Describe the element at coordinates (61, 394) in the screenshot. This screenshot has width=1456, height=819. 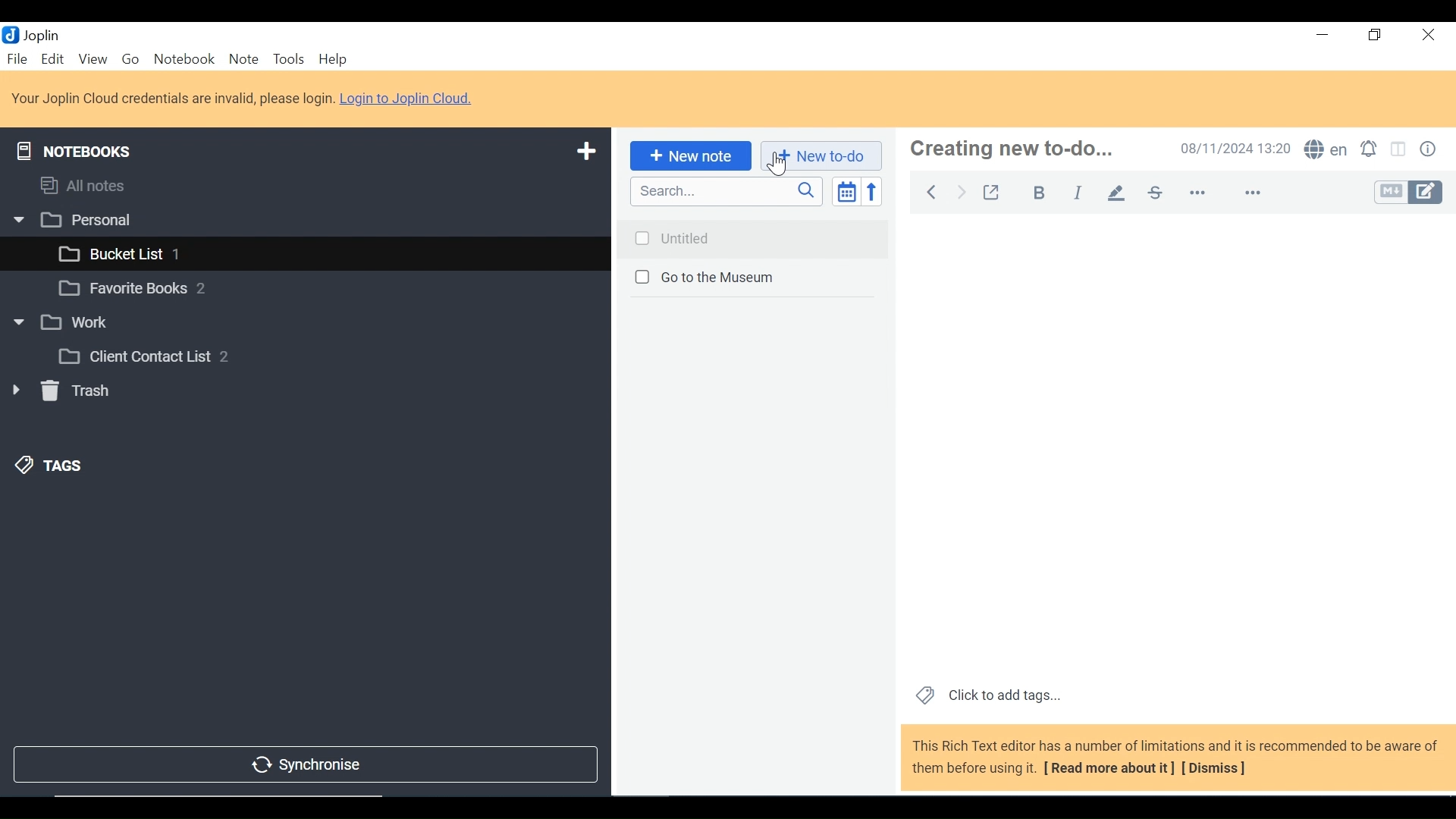
I see `Trash` at that location.